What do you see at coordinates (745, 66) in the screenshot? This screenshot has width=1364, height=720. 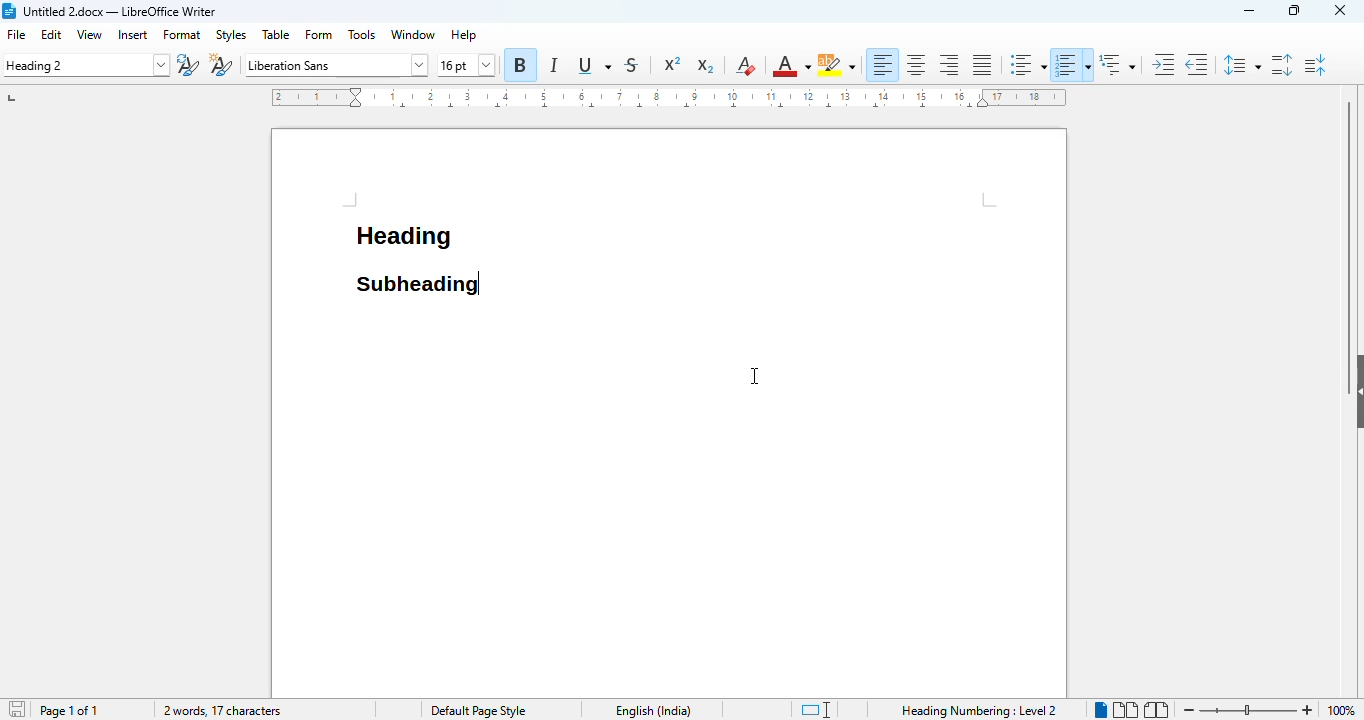 I see `clear direct formatting` at bounding box center [745, 66].